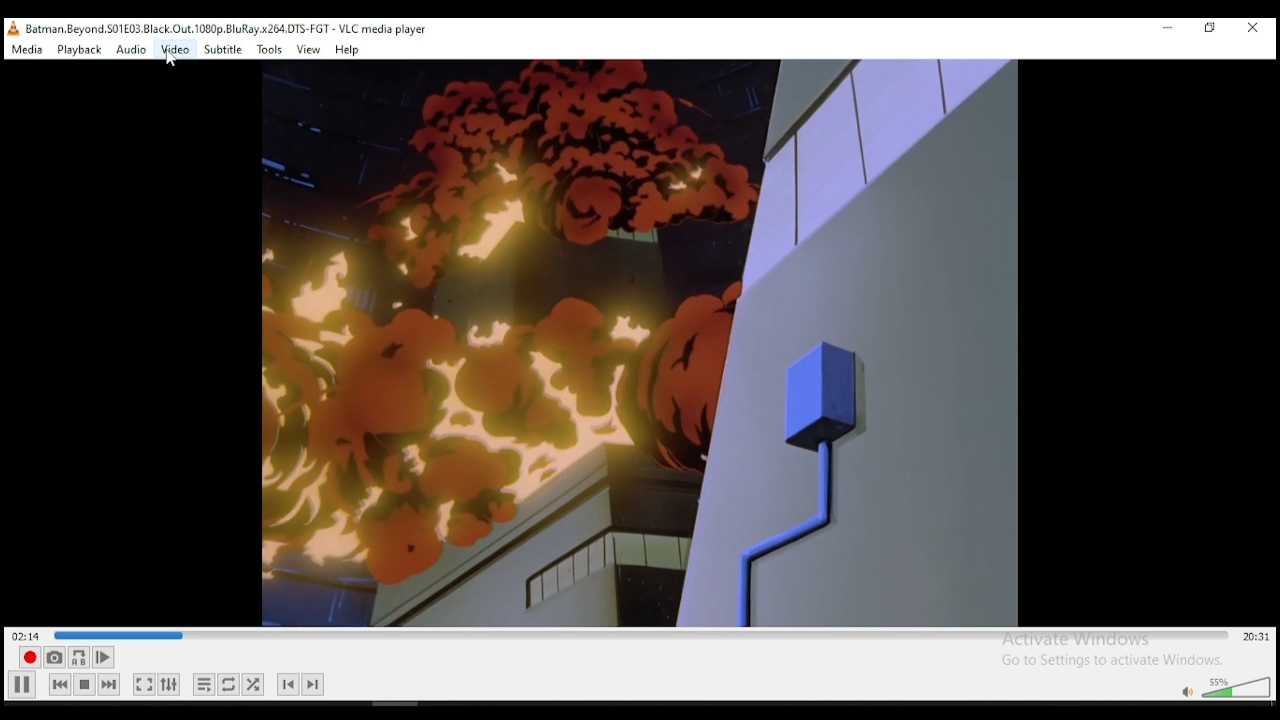 The width and height of the screenshot is (1280, 720). I want to click on video, so click(177, 49).